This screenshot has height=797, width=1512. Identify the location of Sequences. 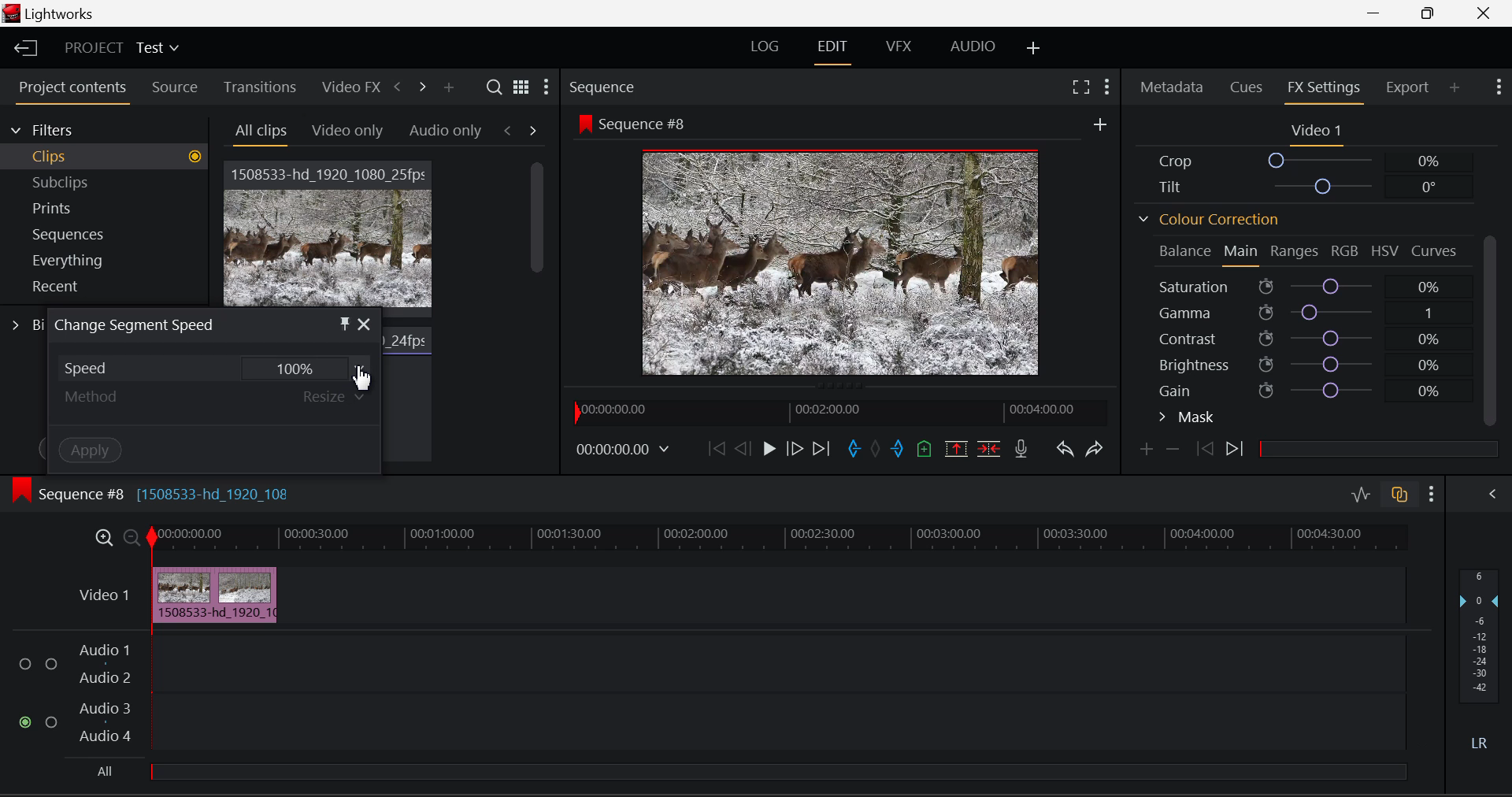
(112, 235).